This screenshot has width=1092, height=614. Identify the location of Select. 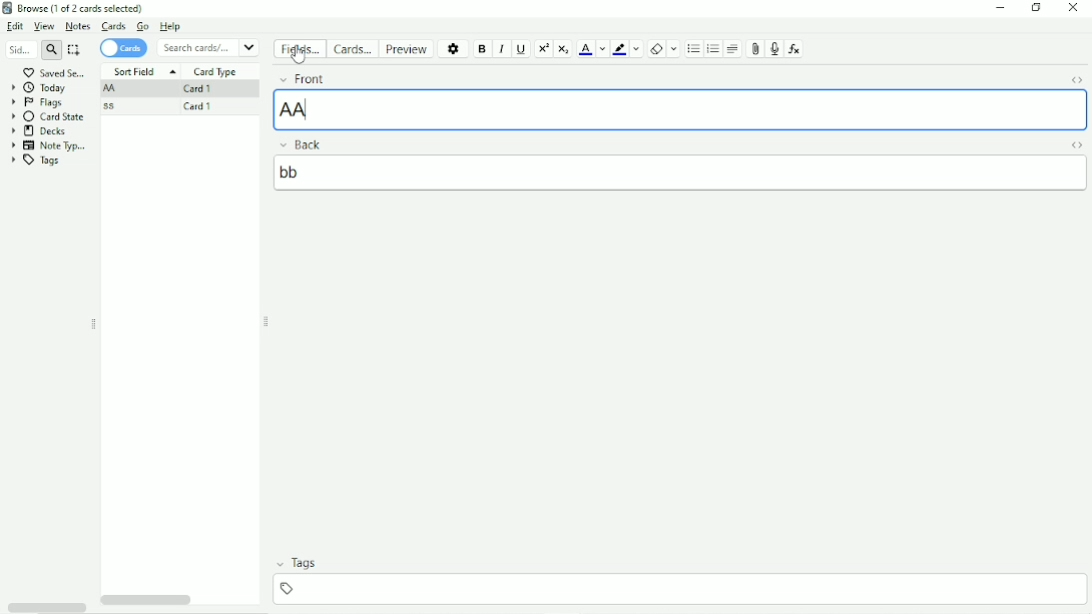
(76, 50).